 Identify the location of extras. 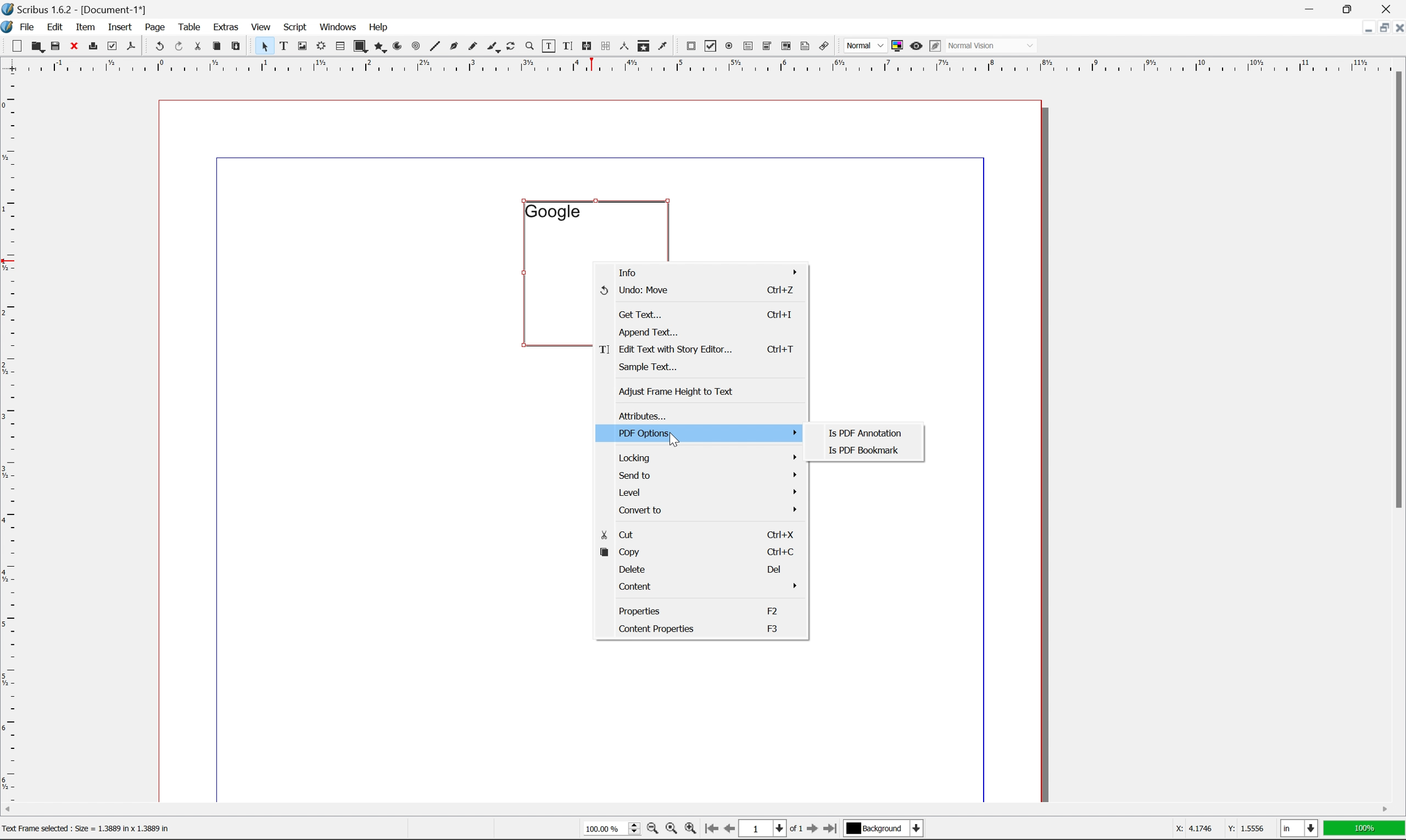
(228, 27).